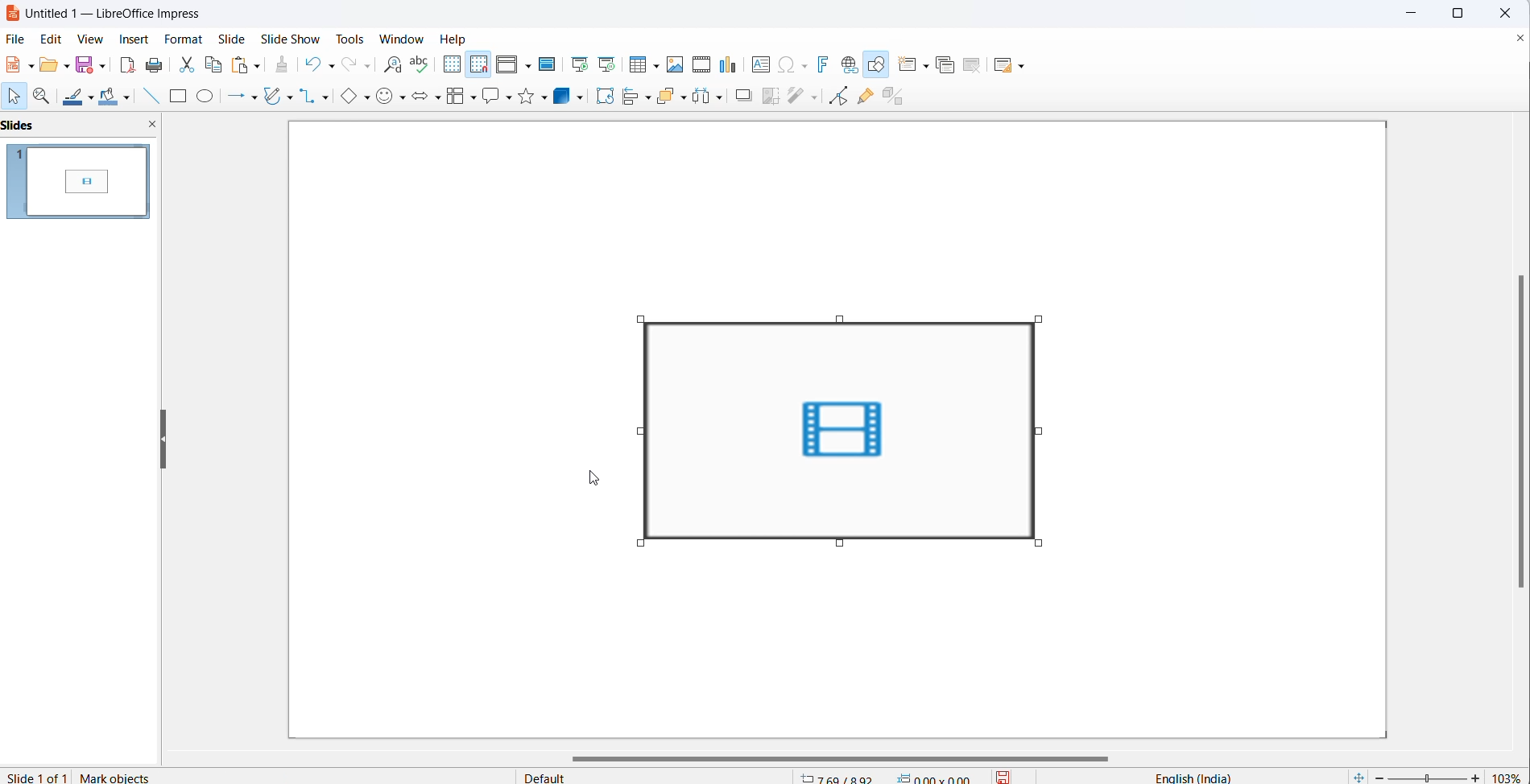  Describe the element at coordinates (45, 98) in the screenshot. I see `zoom and pan` at that location.